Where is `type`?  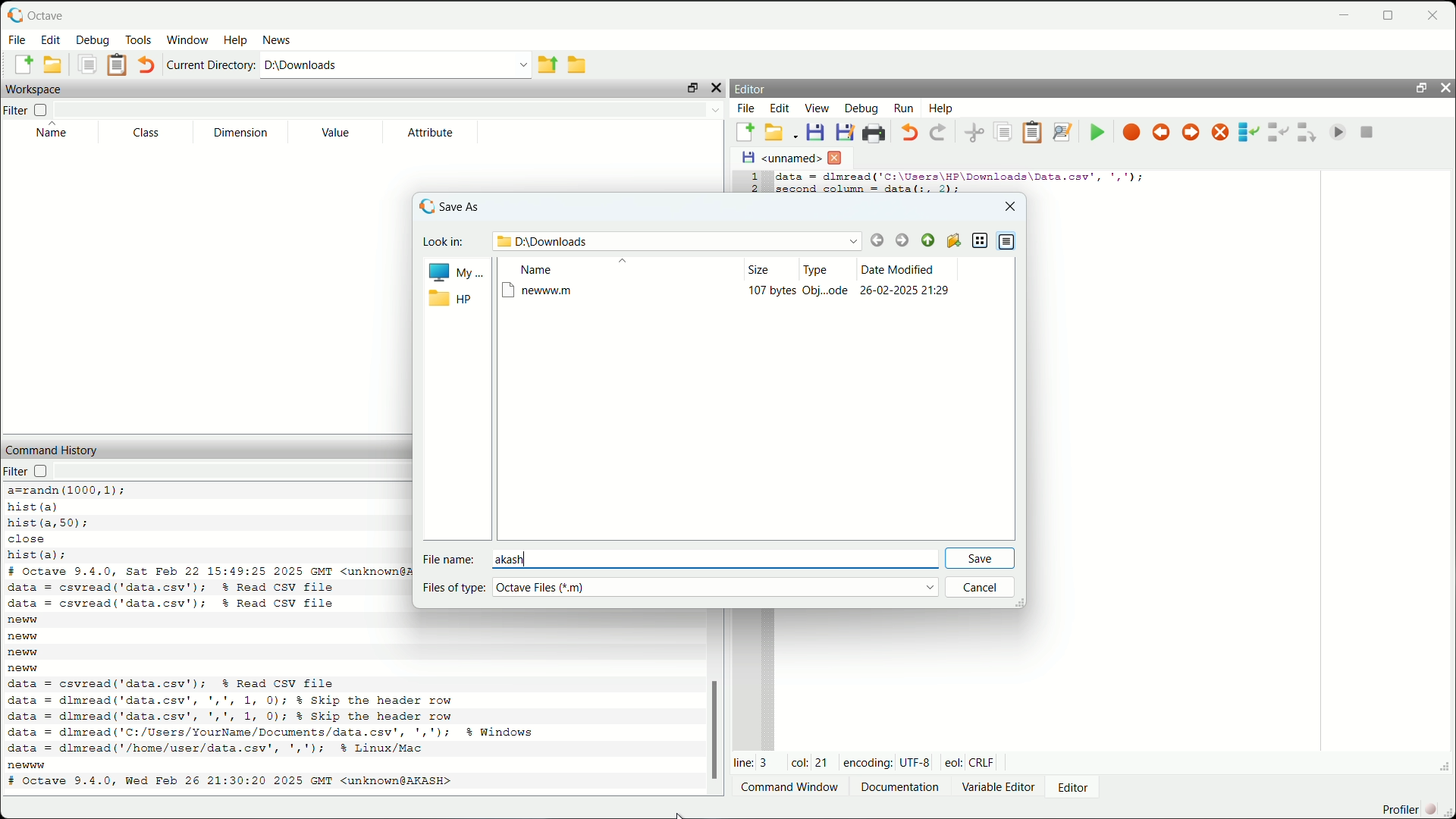
type is located at coordinates (817, 269).